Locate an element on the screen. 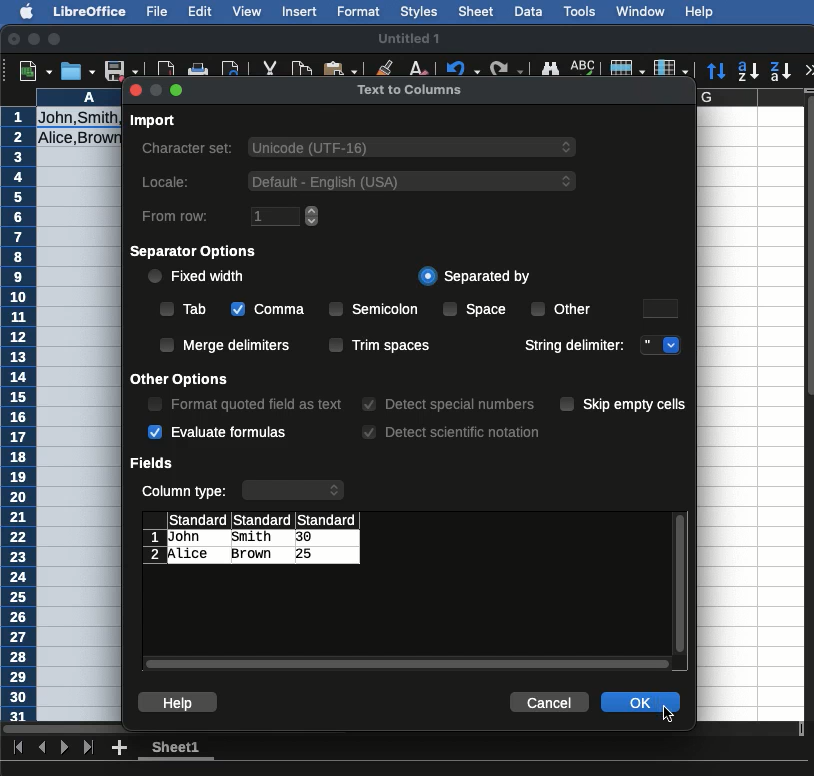 The image size is (814, 776). Add new sheet is located at coordinates (118, 748).